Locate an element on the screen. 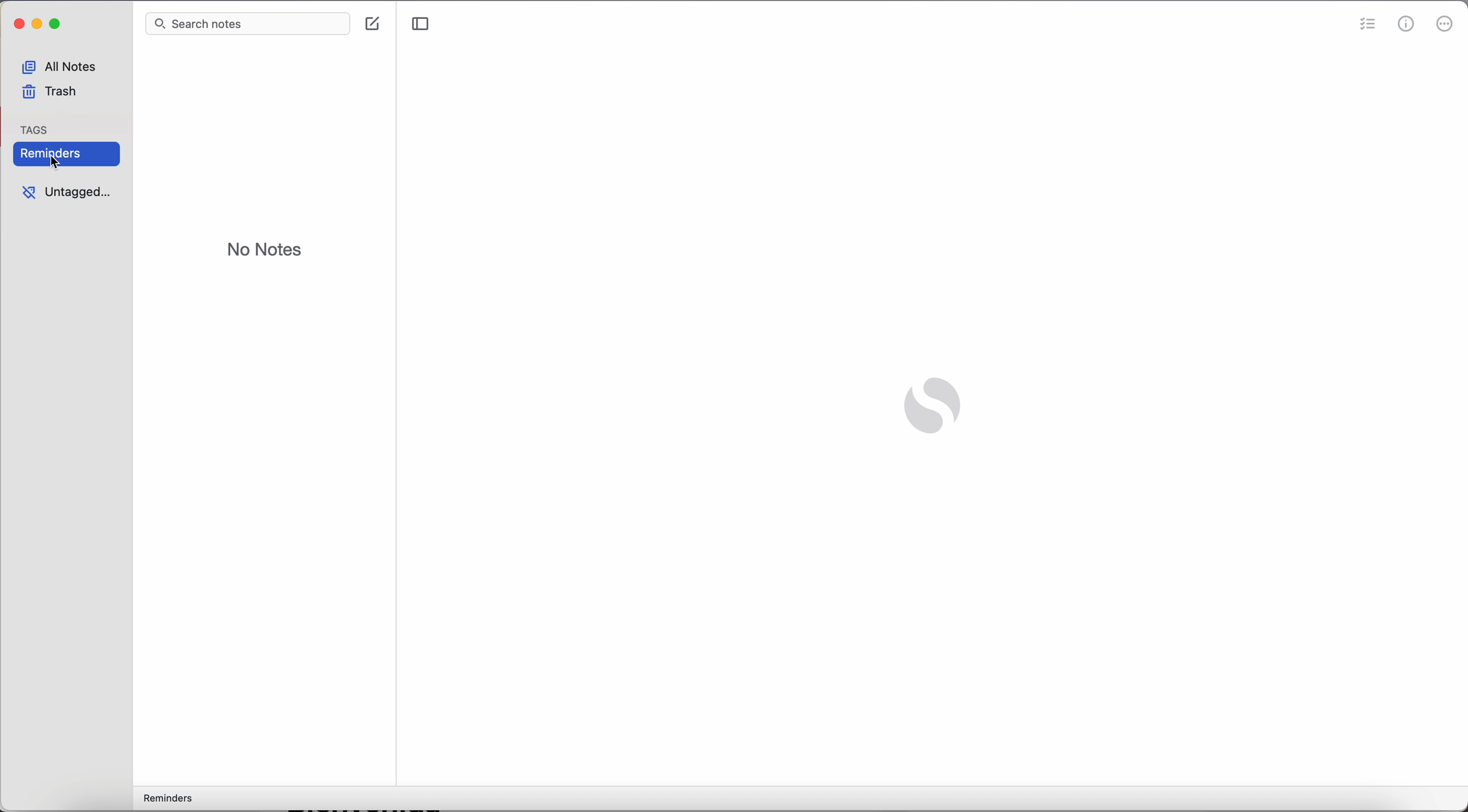 This screenshot has height=812, width=1468. no notes is located at coordinates (265, 251).